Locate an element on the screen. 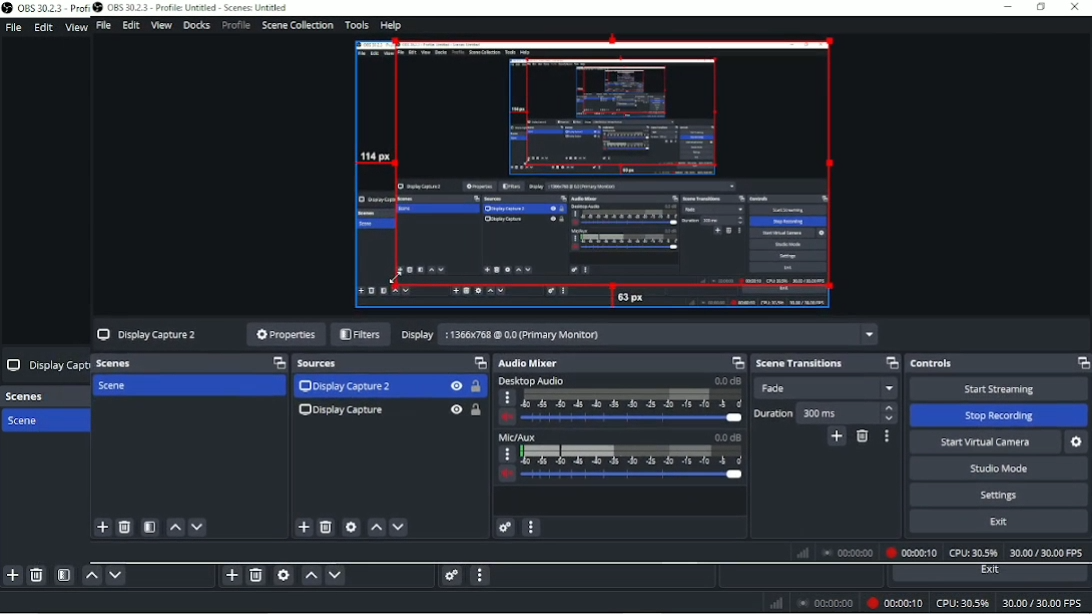 The height and width of the screenshot is (614, 1092). up is located at coordinates (377, 529).